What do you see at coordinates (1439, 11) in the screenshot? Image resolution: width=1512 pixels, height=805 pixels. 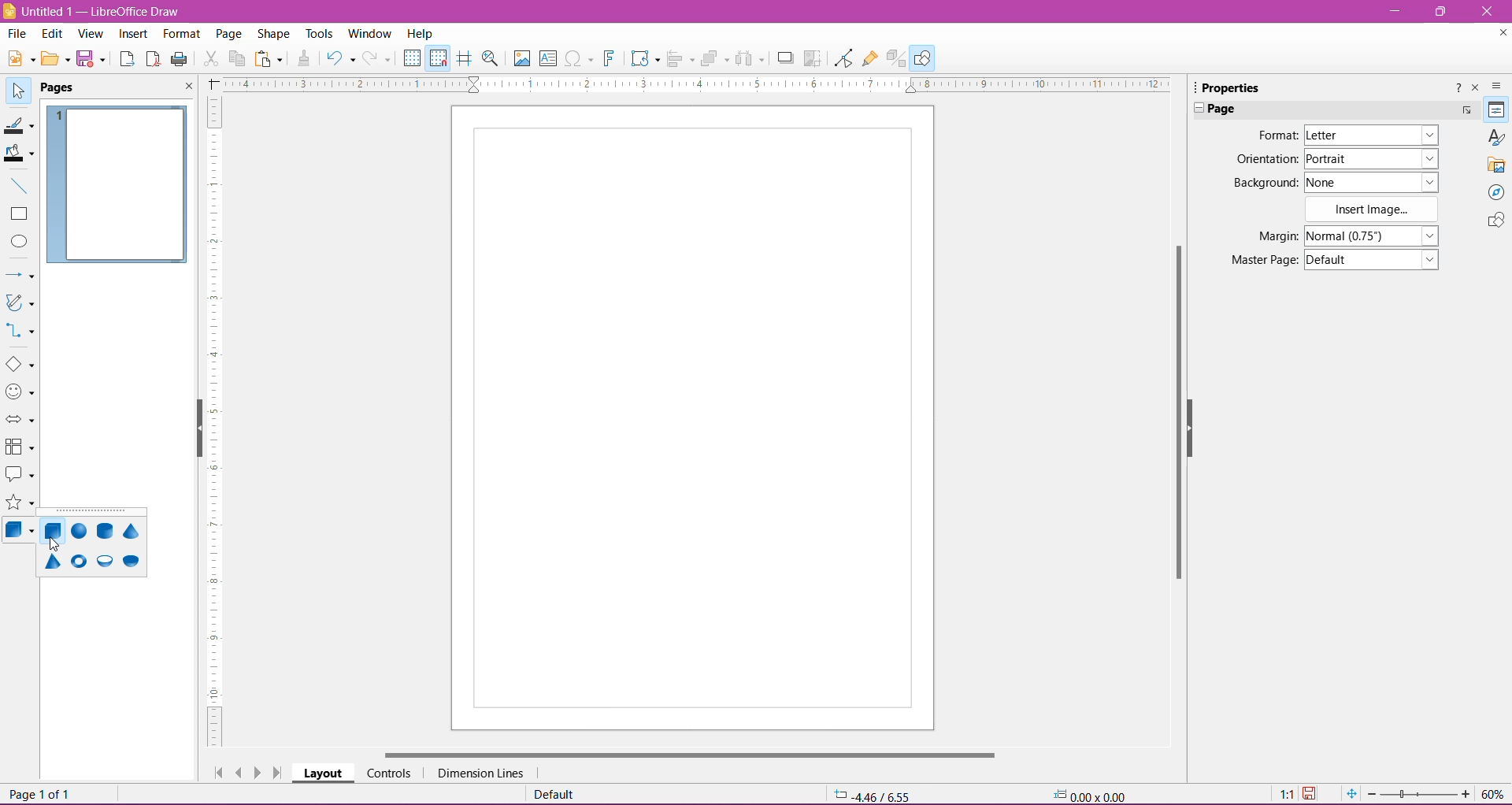 I see `Restore Down` at bounding box center [1439, 11].